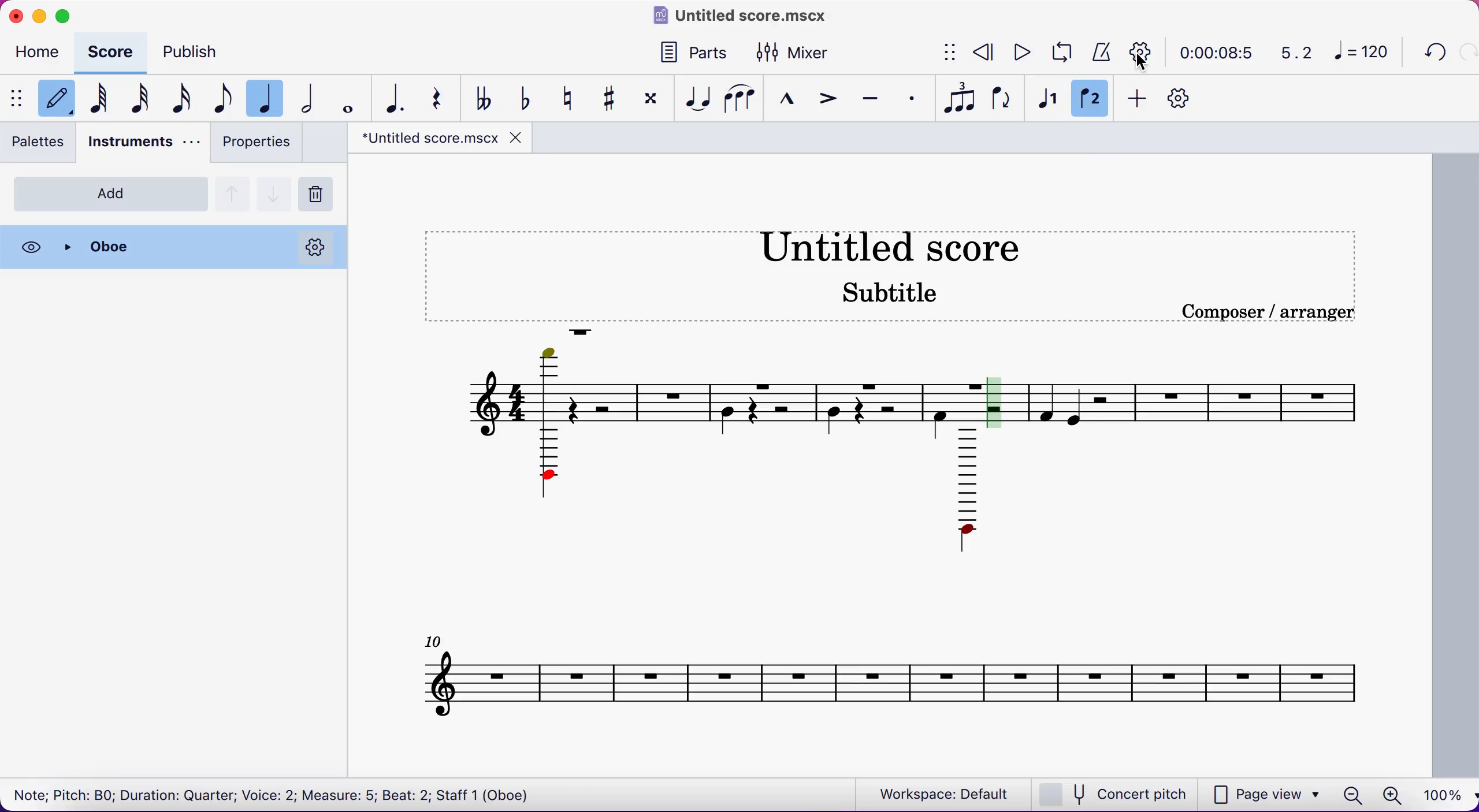 The image size is (1479, 812). I want to click on slur, so click(741, 99).